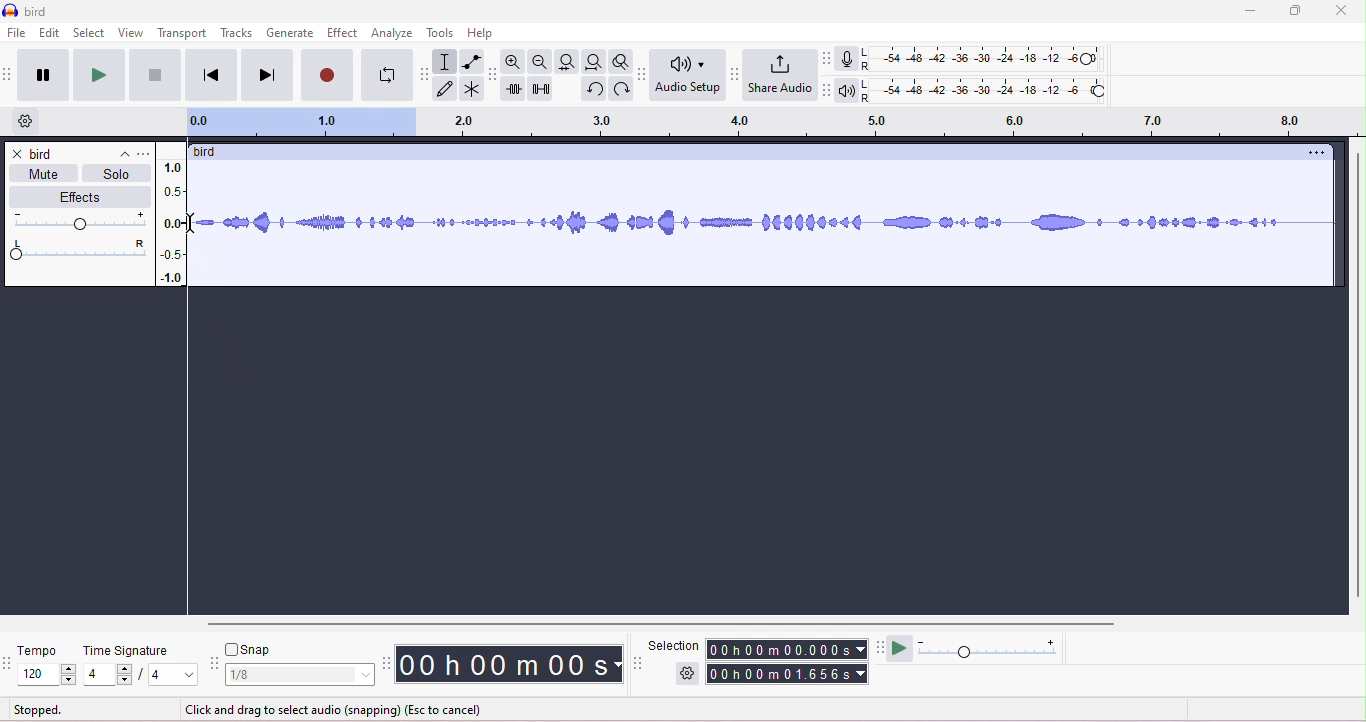 This screenshot has height=722, width=1366. Describe the element at coordinates (388, 663) in the screenshot. I see `time tool bar` at that location.